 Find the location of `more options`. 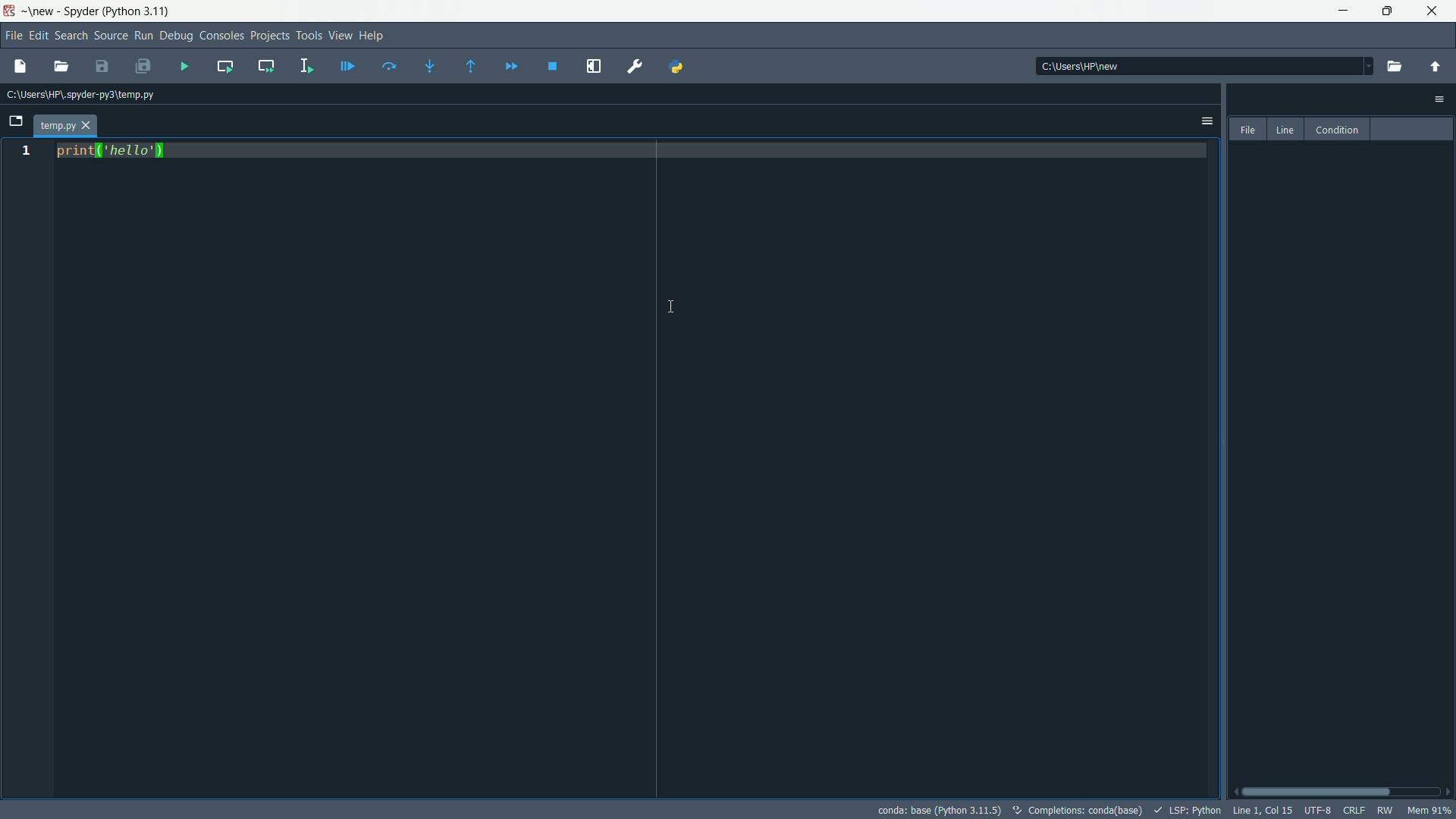

more options is located at coordinates (1205, 121).